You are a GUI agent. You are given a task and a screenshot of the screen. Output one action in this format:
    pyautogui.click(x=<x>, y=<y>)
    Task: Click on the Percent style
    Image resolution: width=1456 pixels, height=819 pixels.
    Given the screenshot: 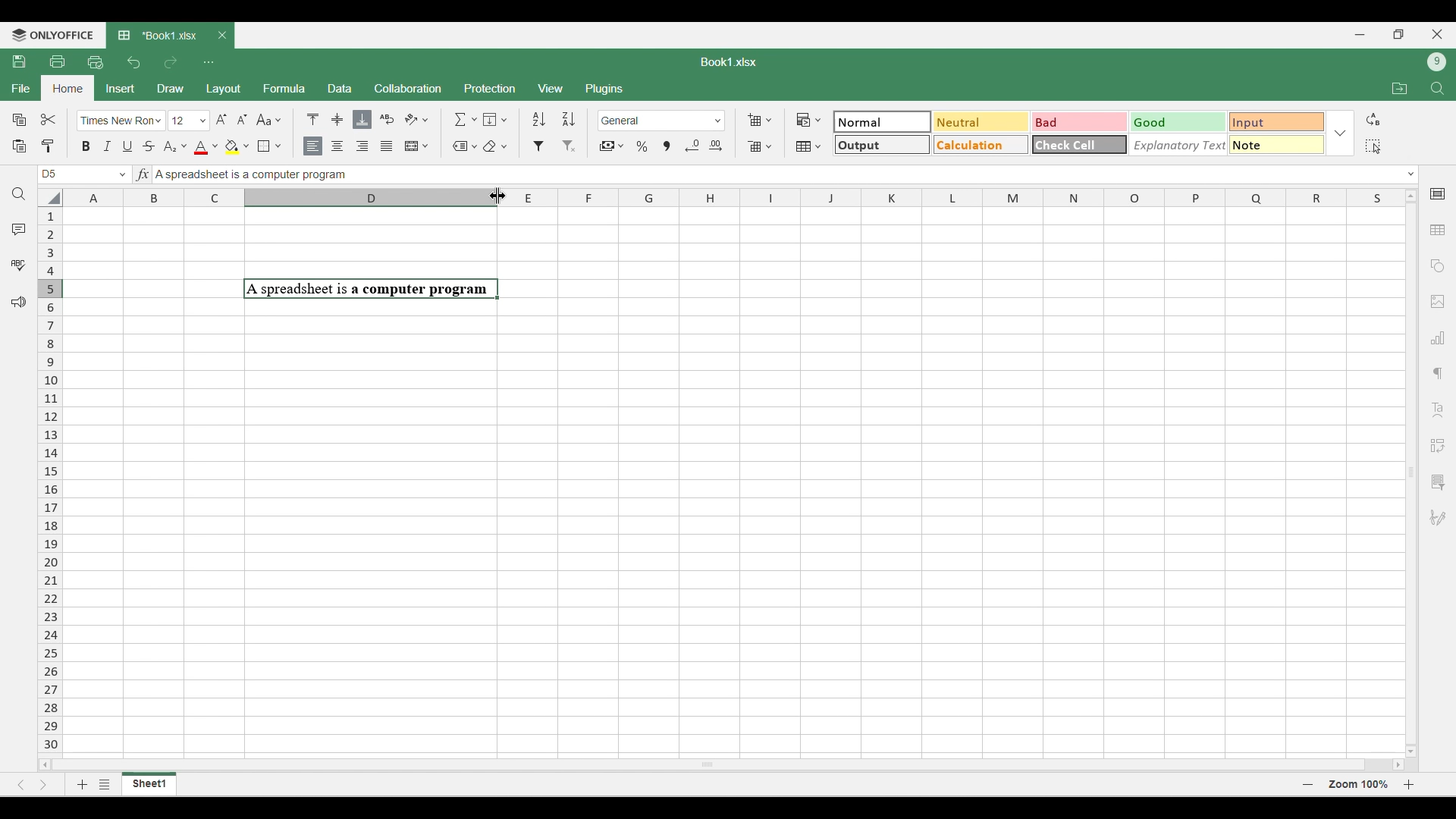 What is the action you would take?
    pyautogui.click(x=642, y=146)
    